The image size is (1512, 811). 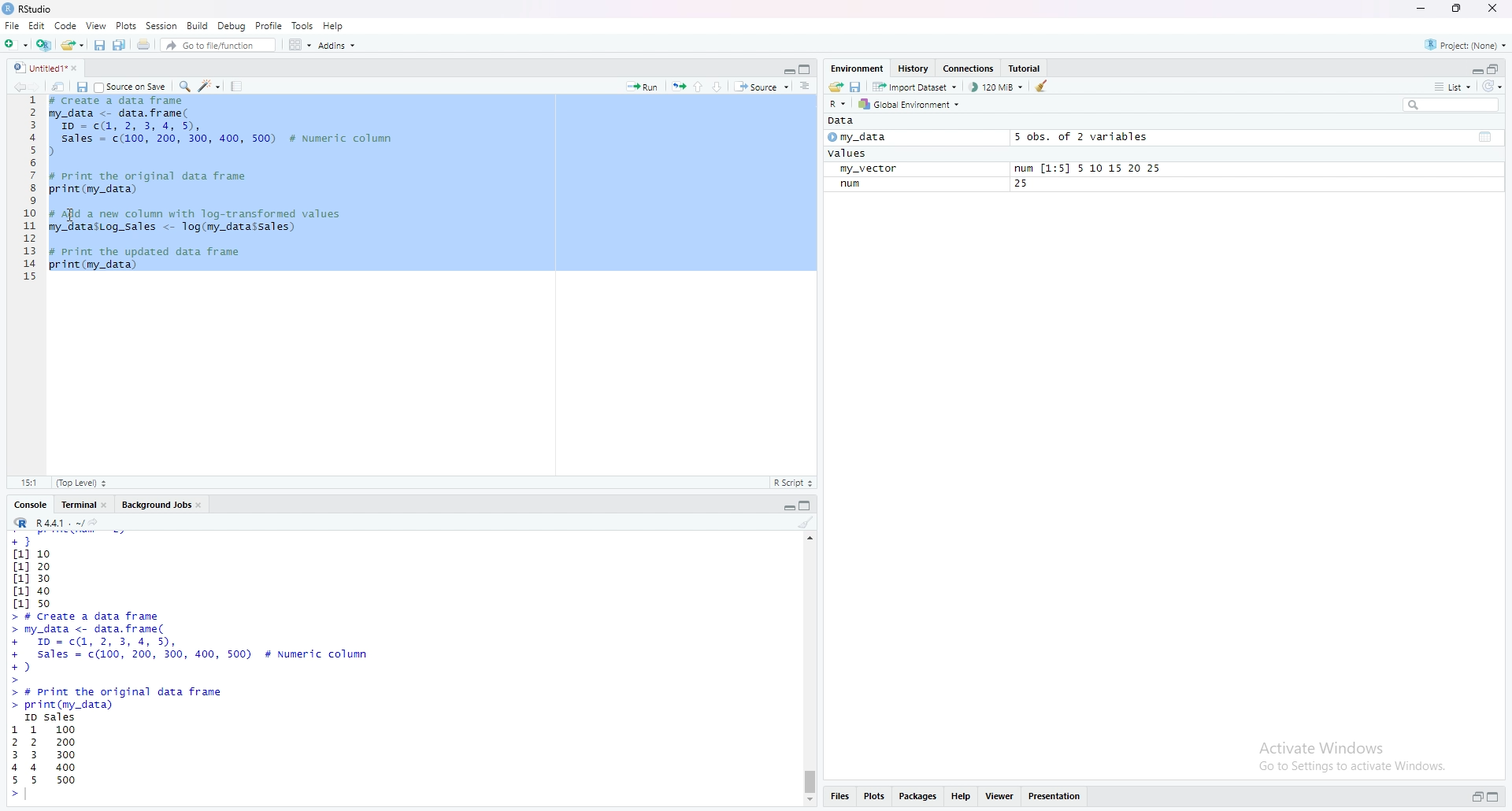 I want to click on history, so click(x=913, y=69).